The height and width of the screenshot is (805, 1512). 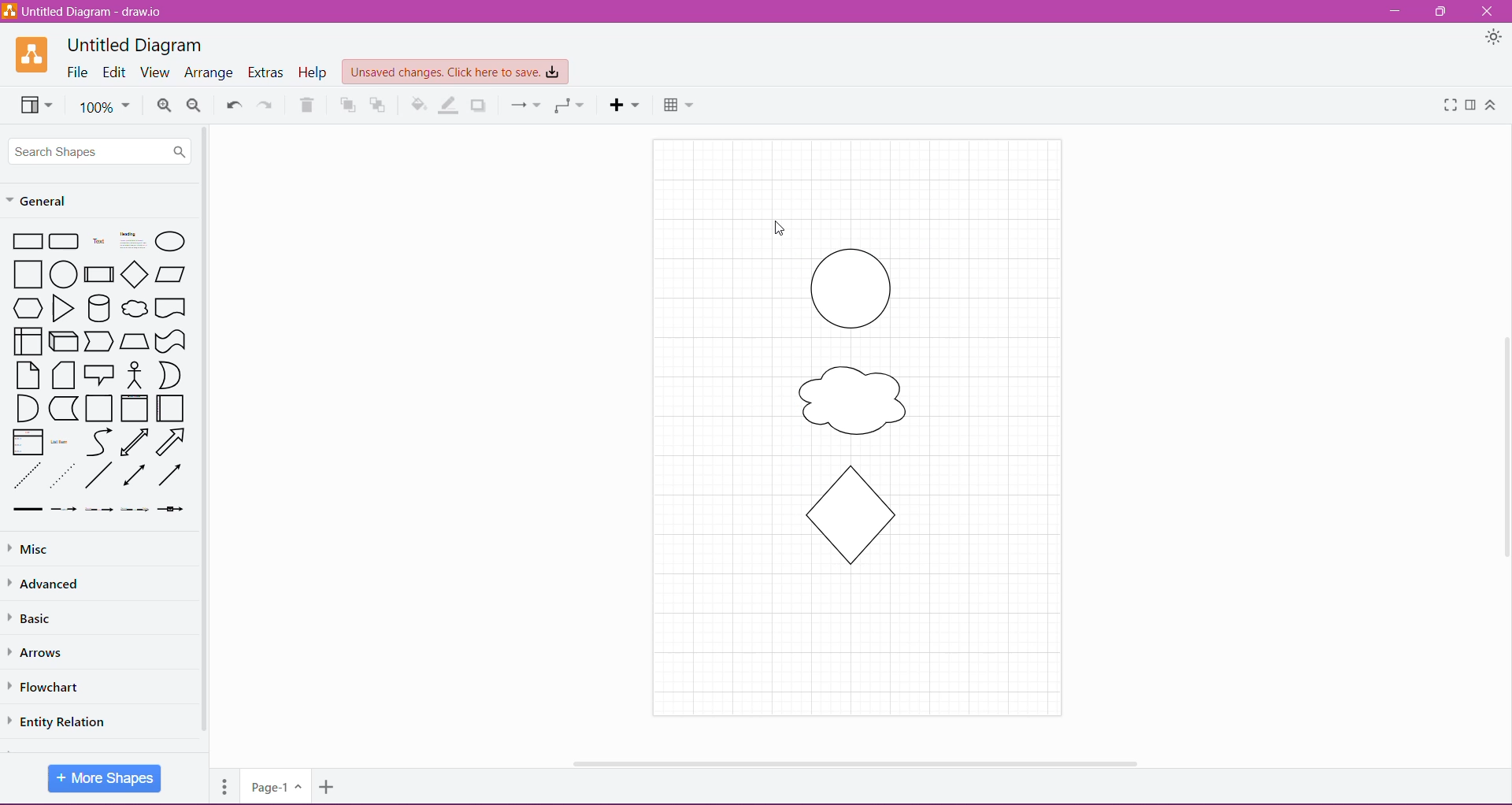 What do you see at coordinates (850, 759) in the screenshot?
I see `Horizontal Scroll Bar` at bounding box center [850, 759].